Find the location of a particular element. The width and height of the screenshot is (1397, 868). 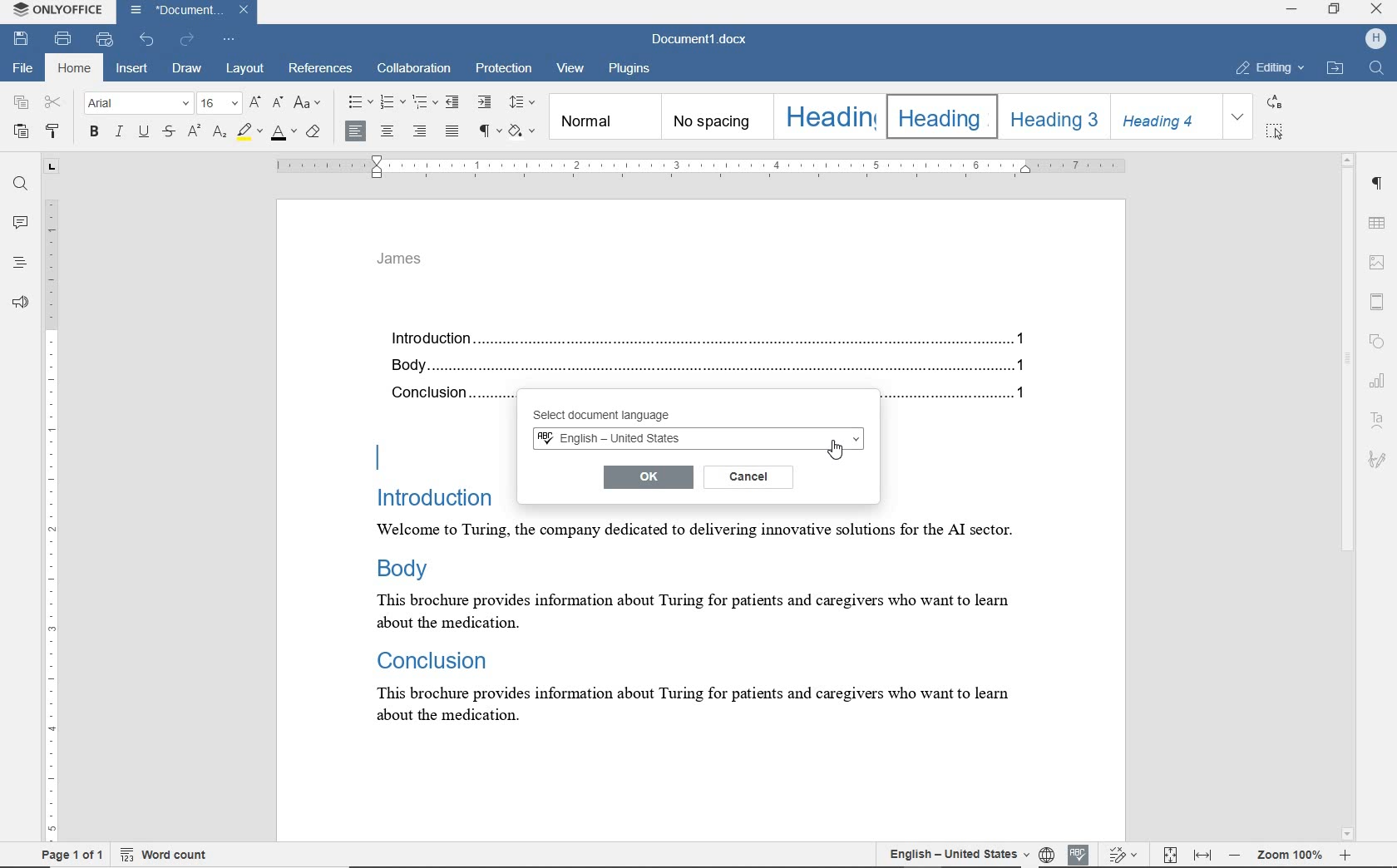

align center is located at coordinates (387, 132).